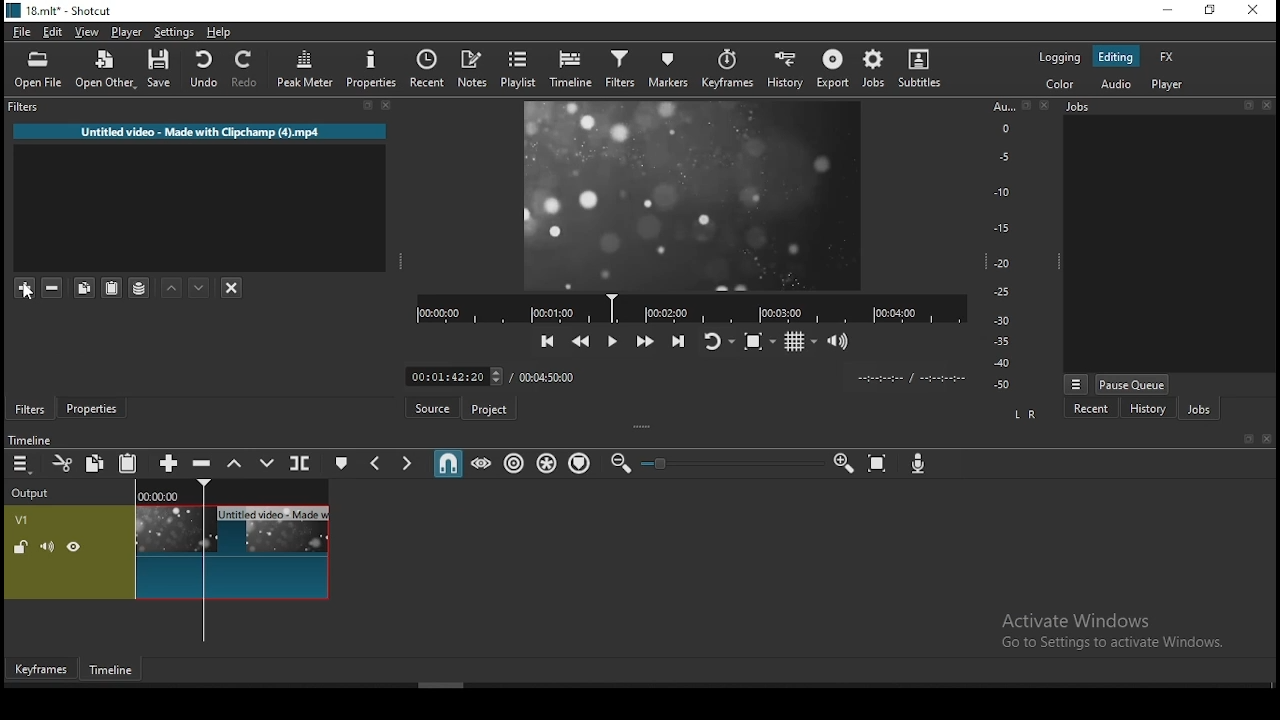  I want to click on Timeline, so click(29, 439).